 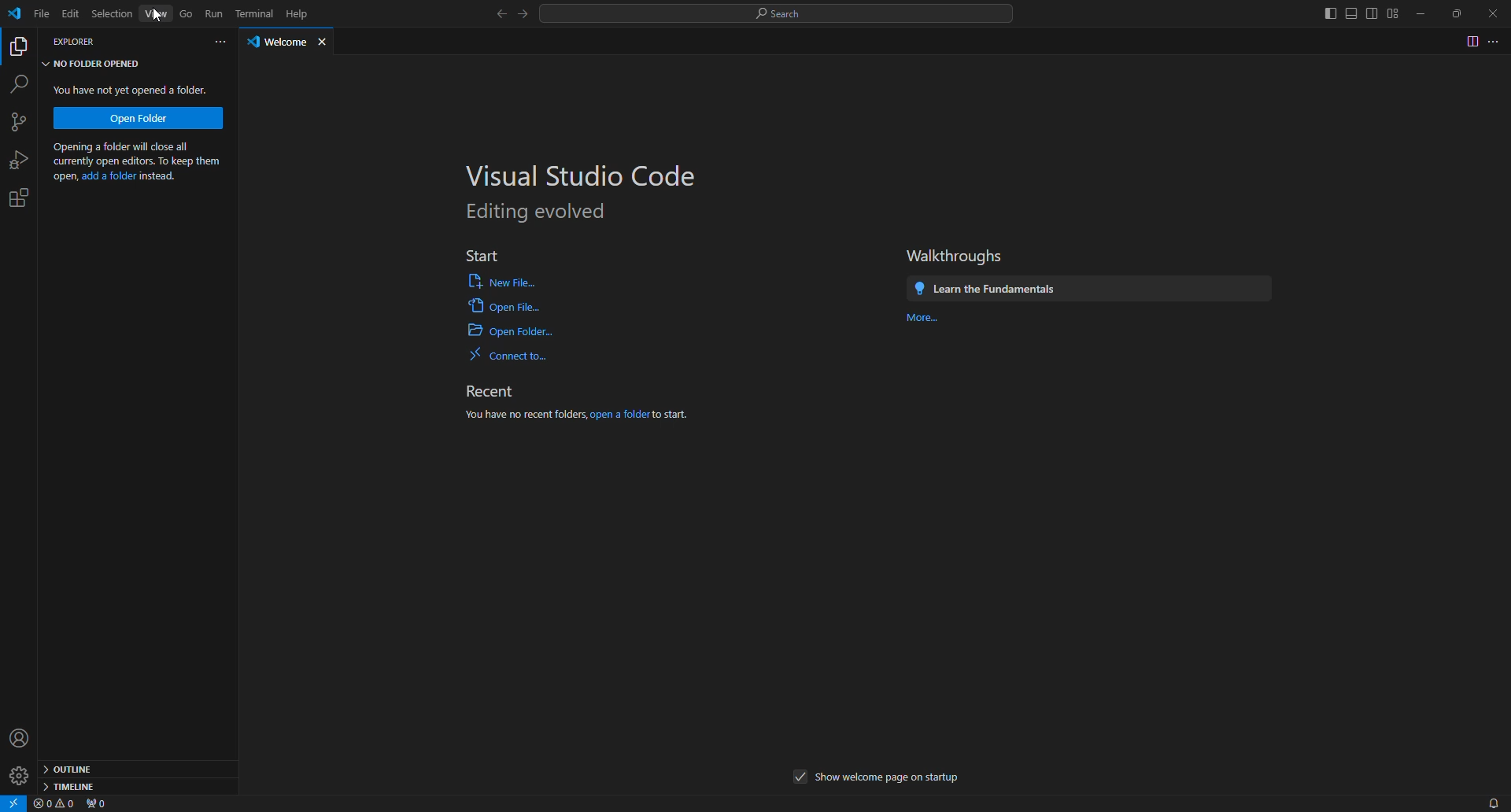 What do you see at coordinates (574, 423) in the screenshot?
I see `You have no recent folder, open a folder to start` at bounding box center [574, 423].